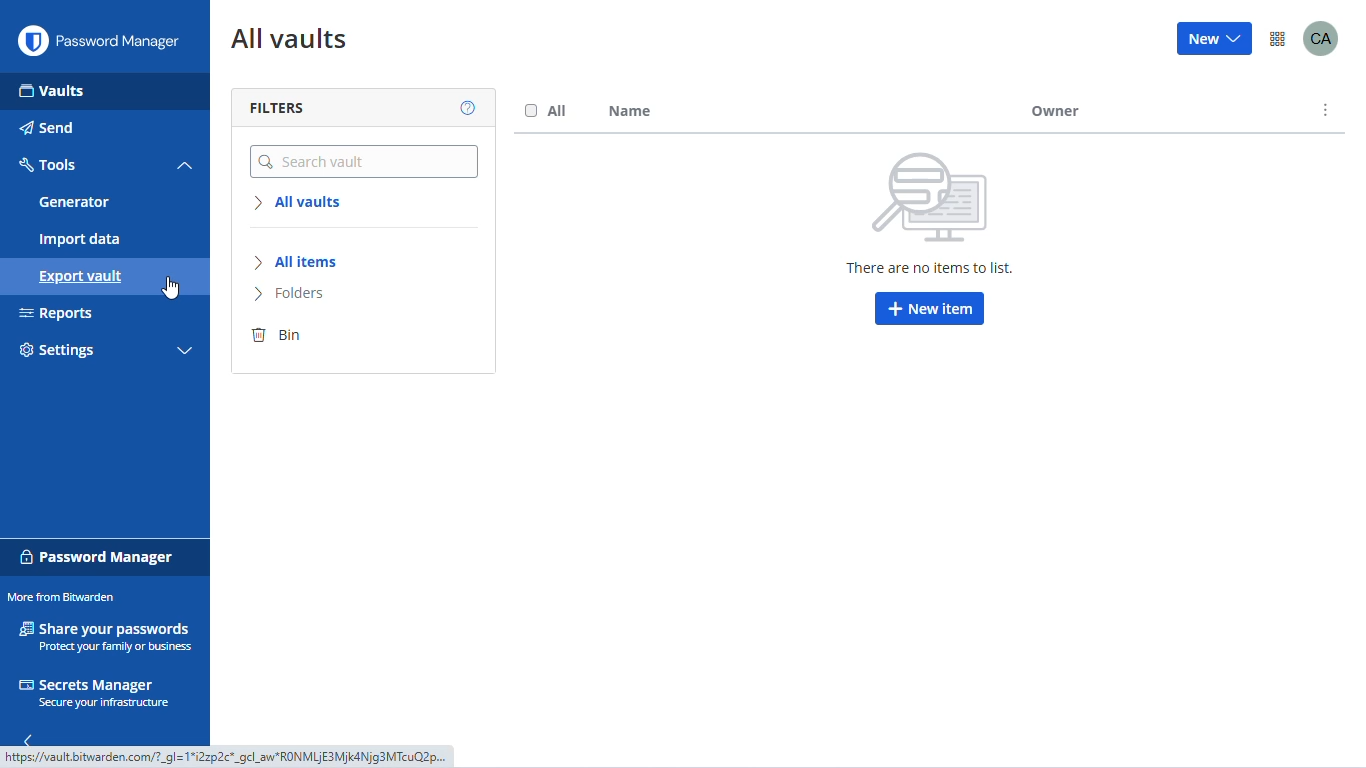 The width and height of the screenshot is (1366, 768). I want to click on more from bitwarden, so click(1278, 39).